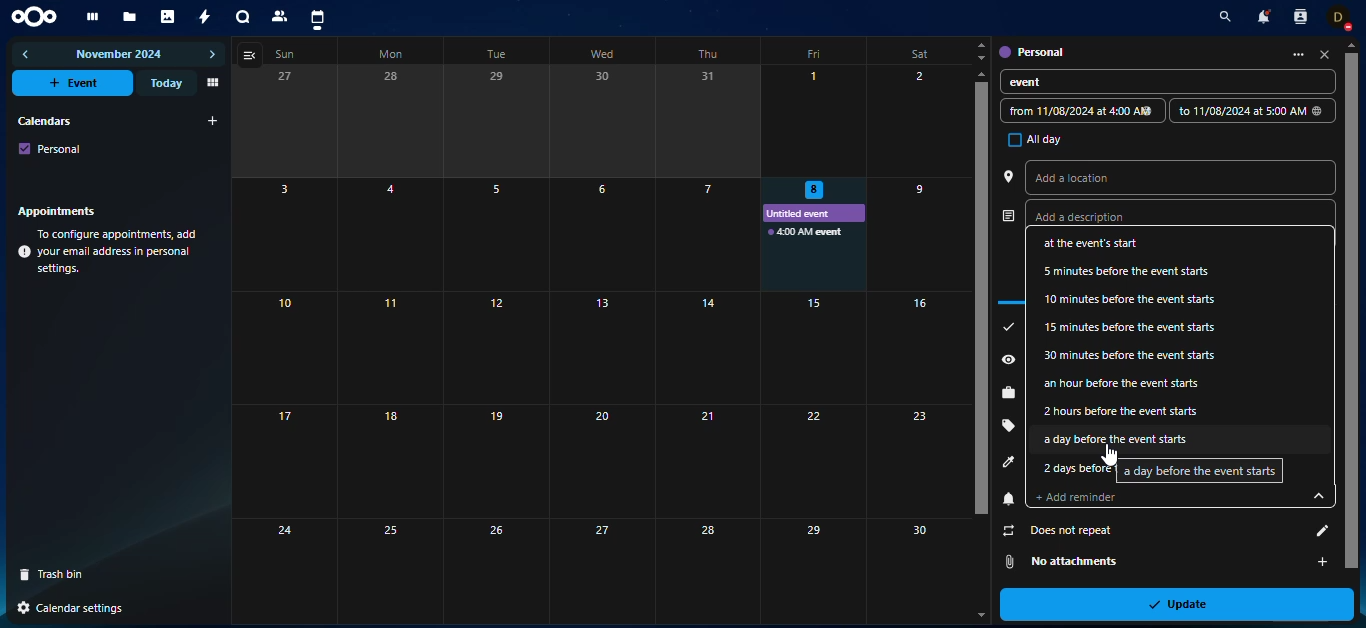 This screenshot has height=628, width=1366. Describe the element at coordinates (1008, 393) in the screenshot. I see `work` at that location.